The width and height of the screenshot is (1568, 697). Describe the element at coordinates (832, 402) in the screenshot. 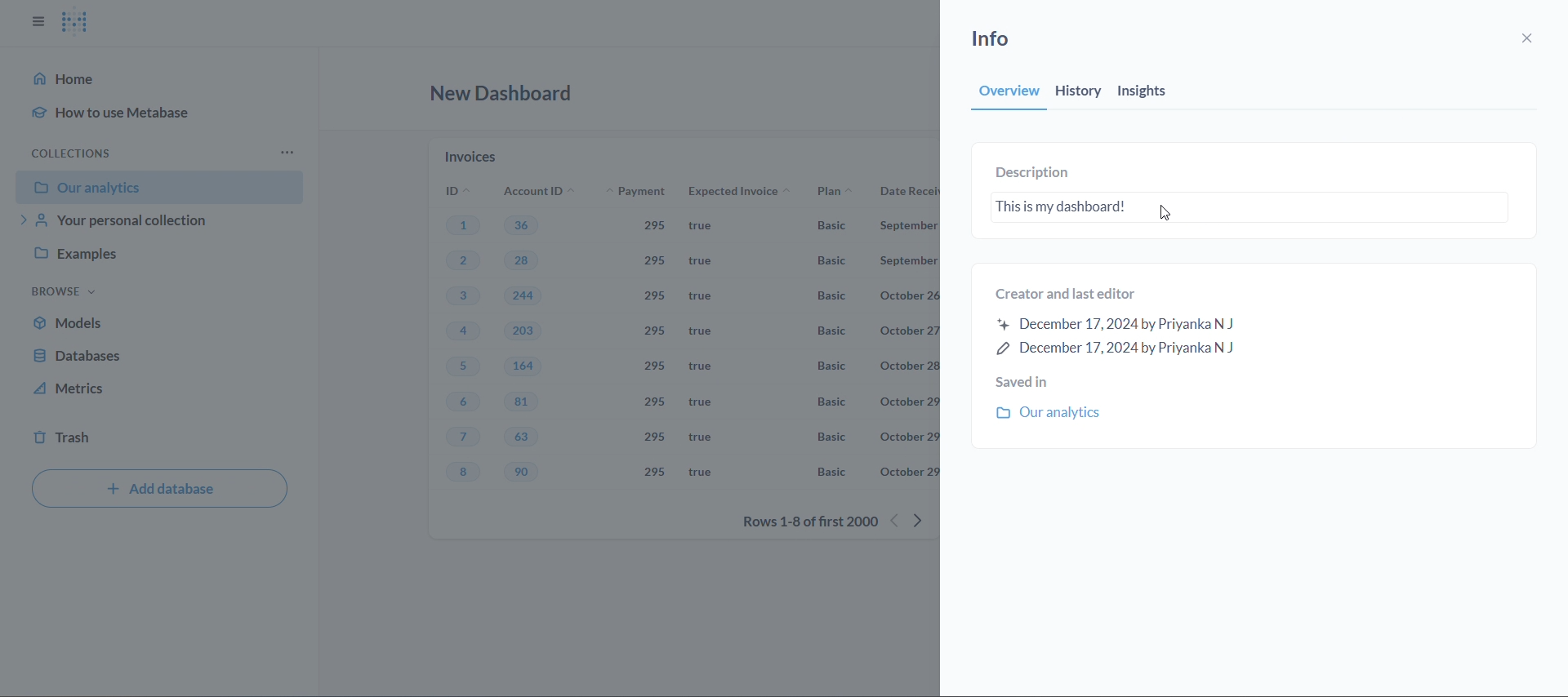

I see `Basic` at that location.